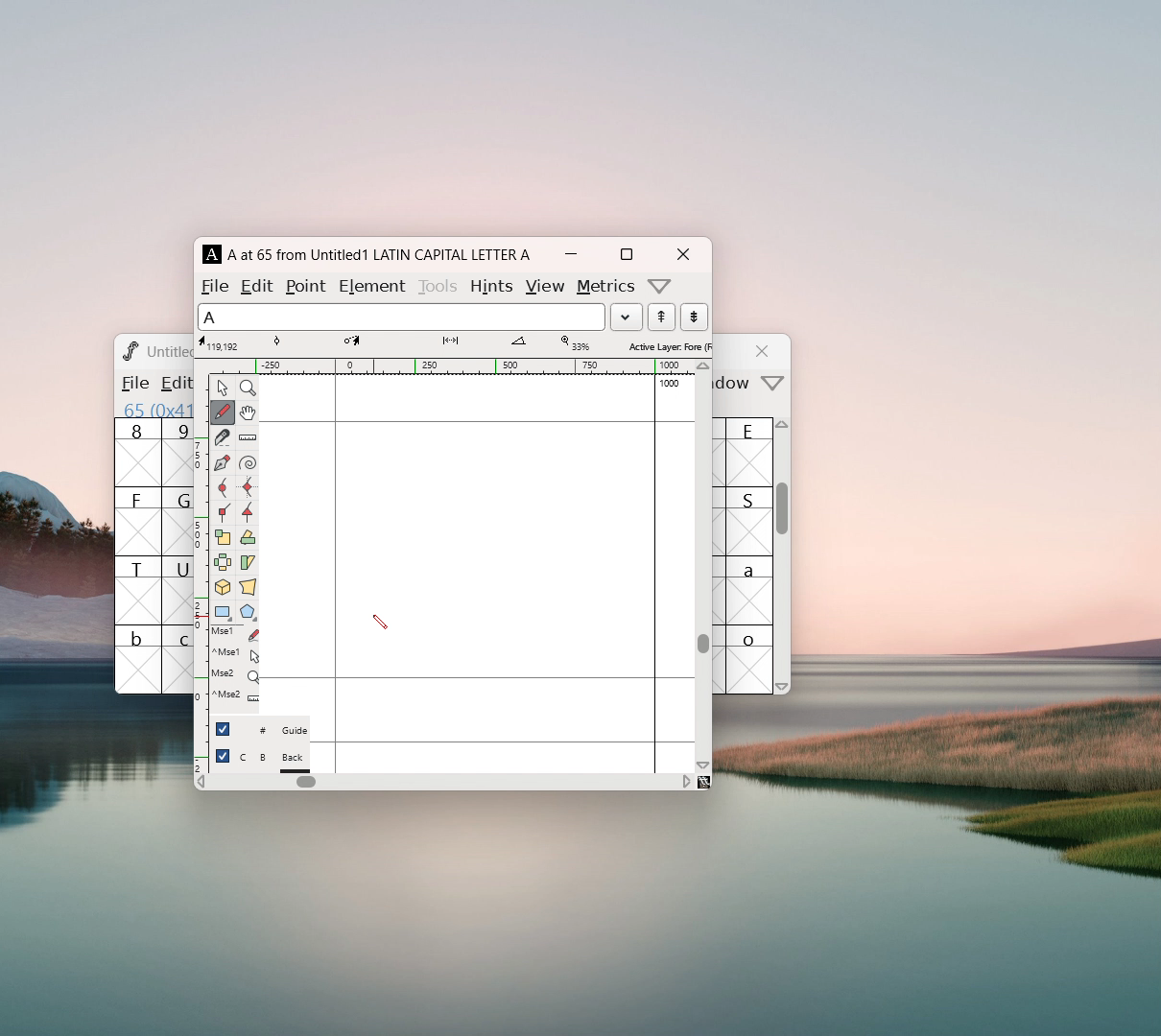 This screenshot has height=1036, width=1161. I want to click on rotate the selection, so click(247, 539).